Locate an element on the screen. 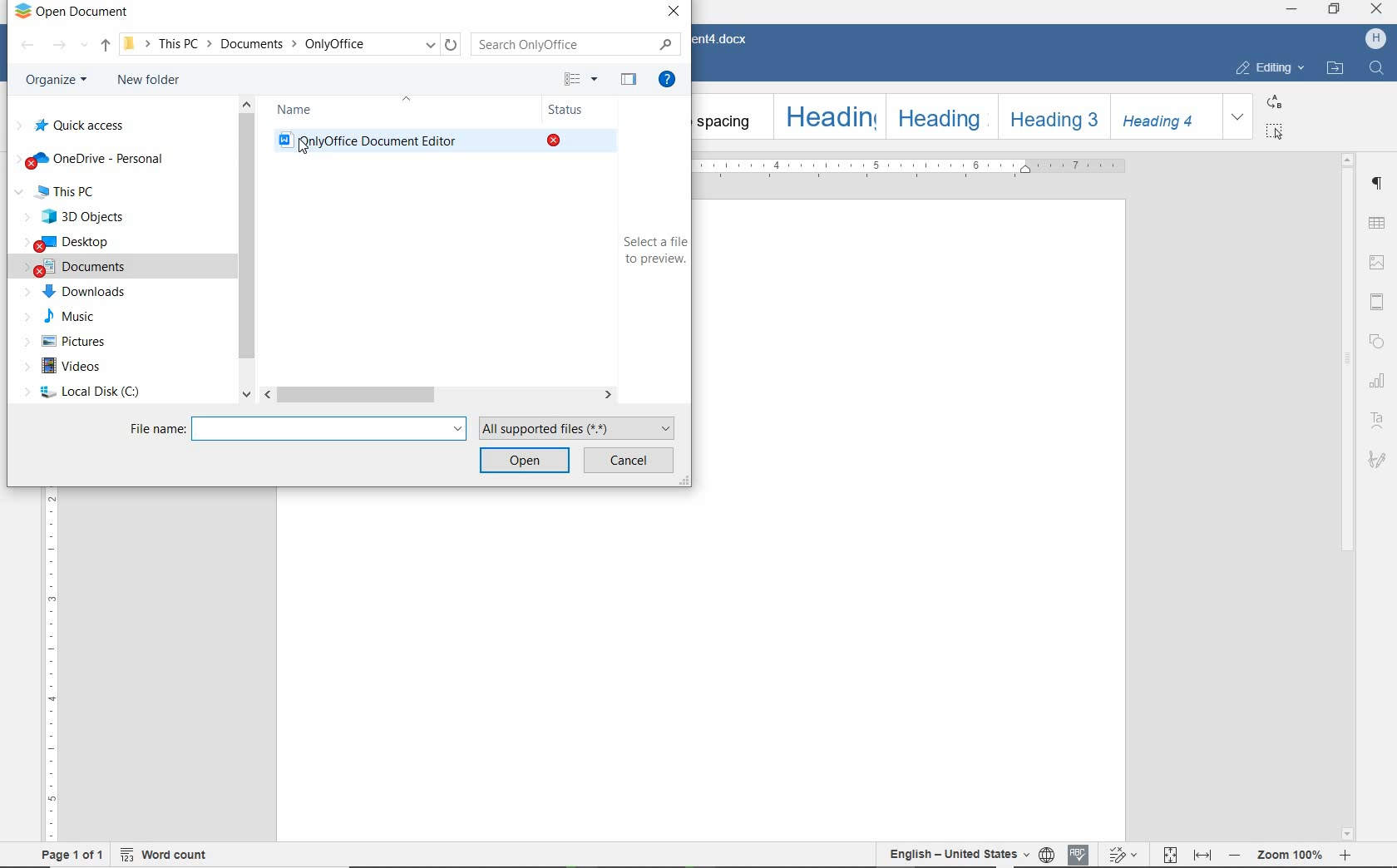  ruler is located at coordinates (912, 166).